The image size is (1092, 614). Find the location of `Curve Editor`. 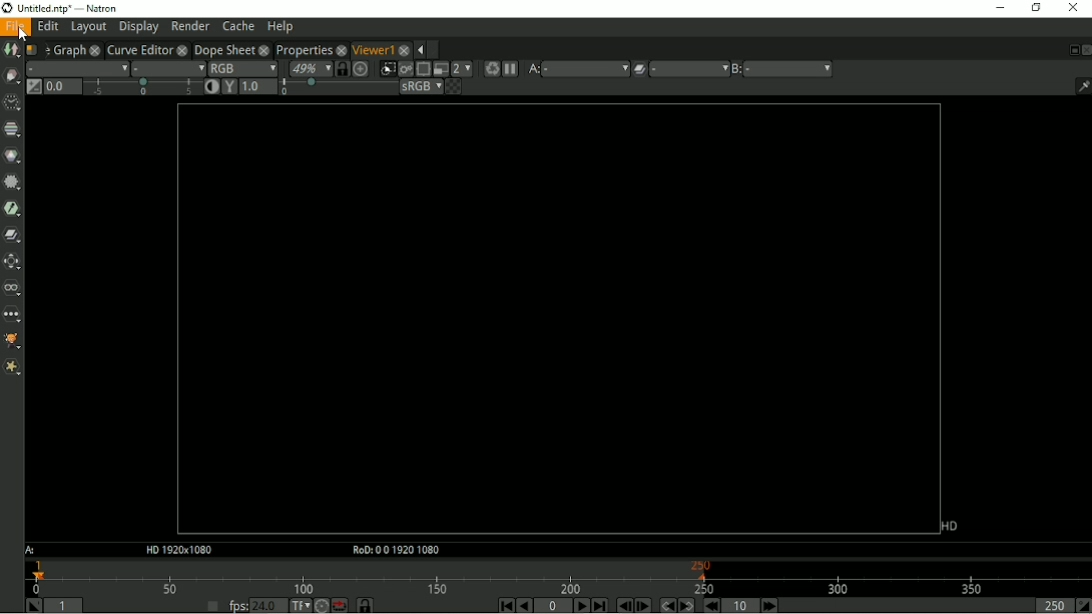

Curve Editor is located at coordinates (138, 48).